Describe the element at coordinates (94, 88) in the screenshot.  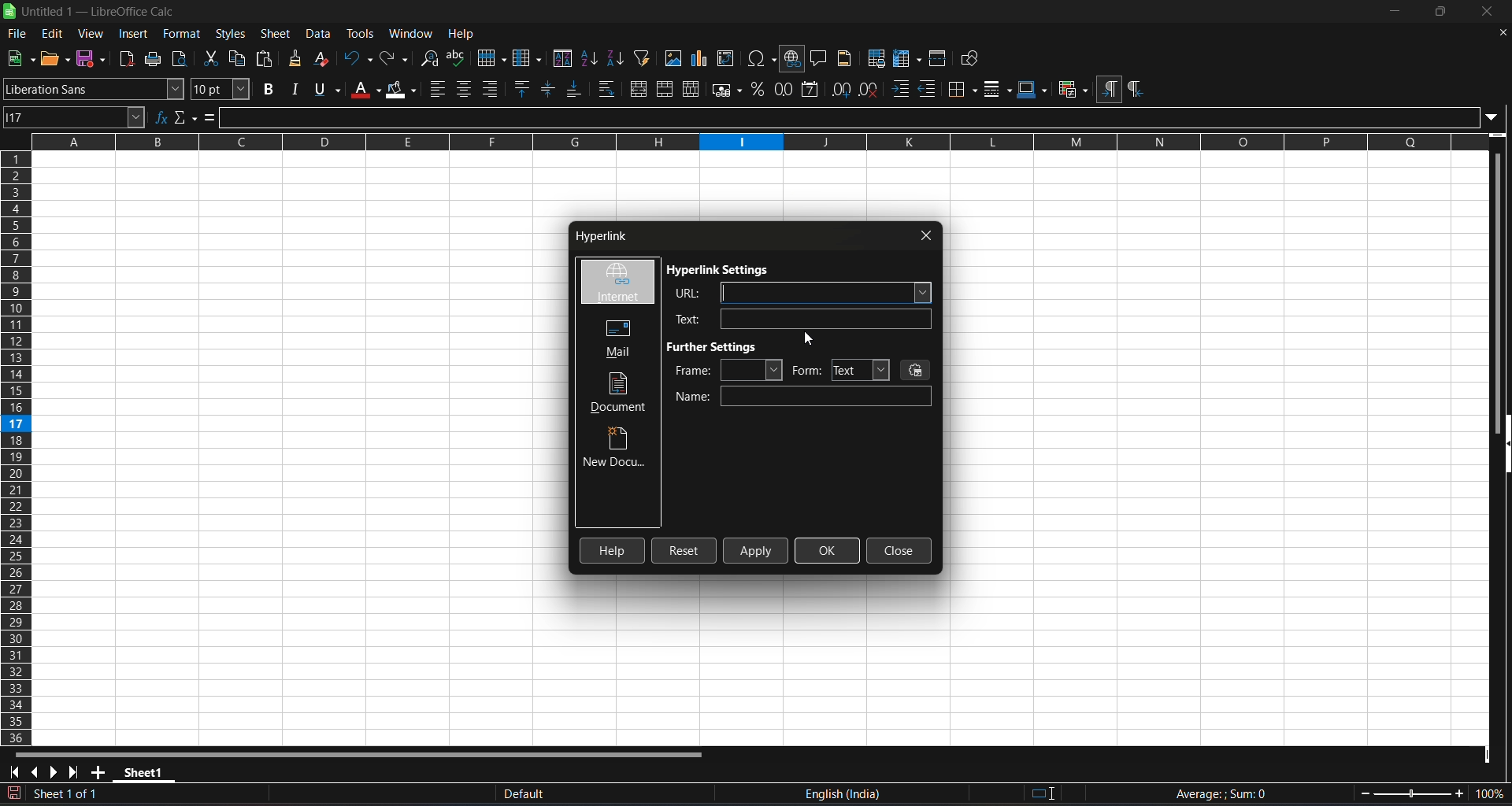
I see `font name` at that location.